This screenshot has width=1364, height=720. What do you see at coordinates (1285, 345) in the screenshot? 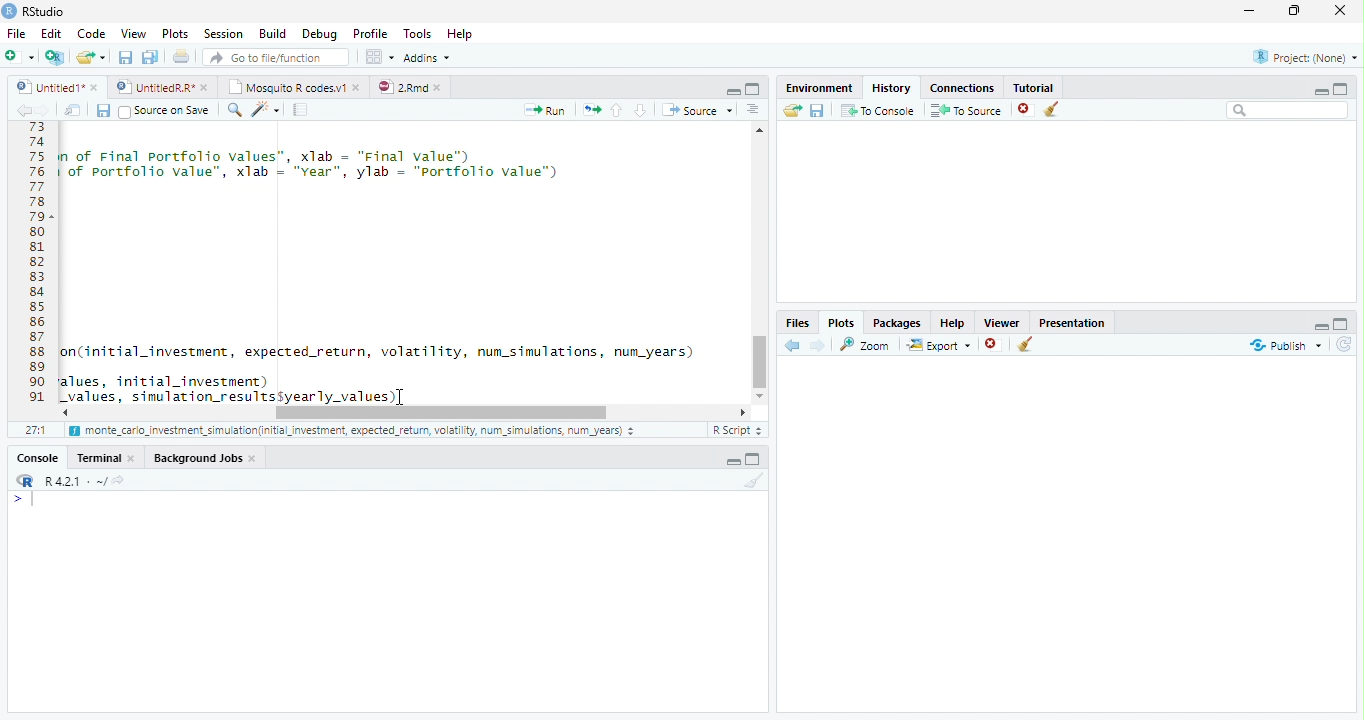
I see `publish` at bounding box center [1285, 345].